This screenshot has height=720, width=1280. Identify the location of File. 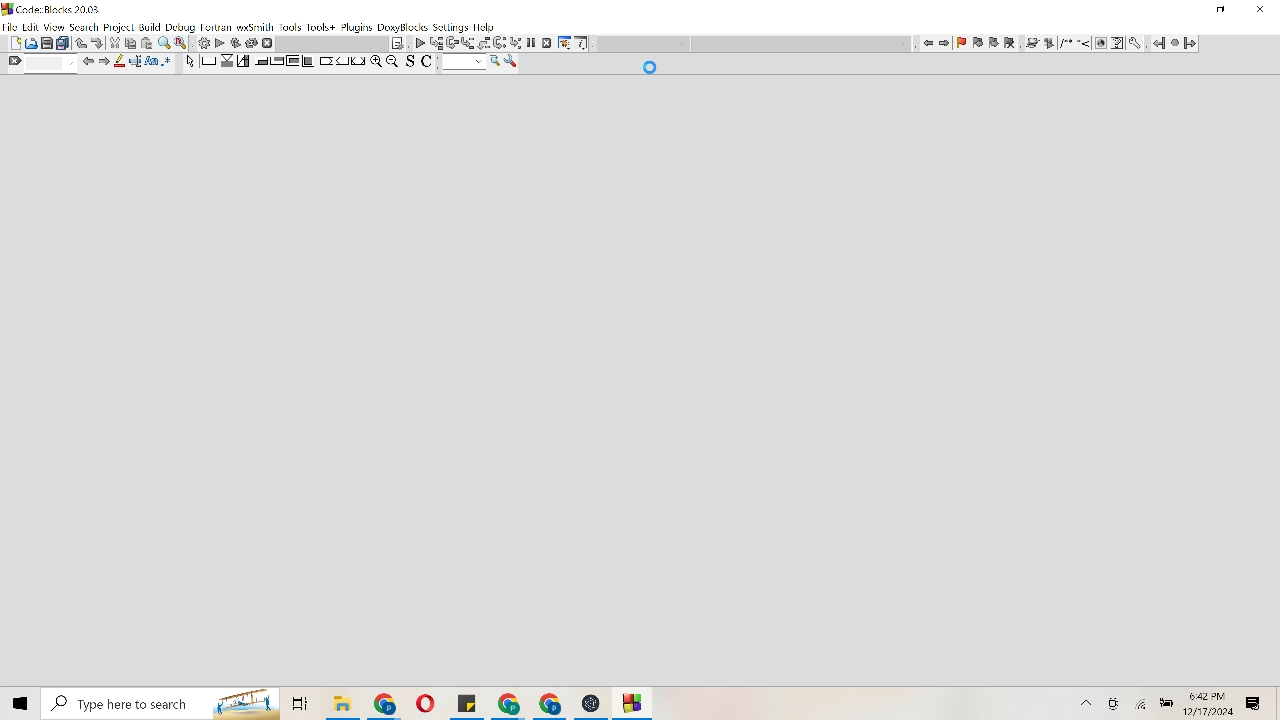
(424, 703).